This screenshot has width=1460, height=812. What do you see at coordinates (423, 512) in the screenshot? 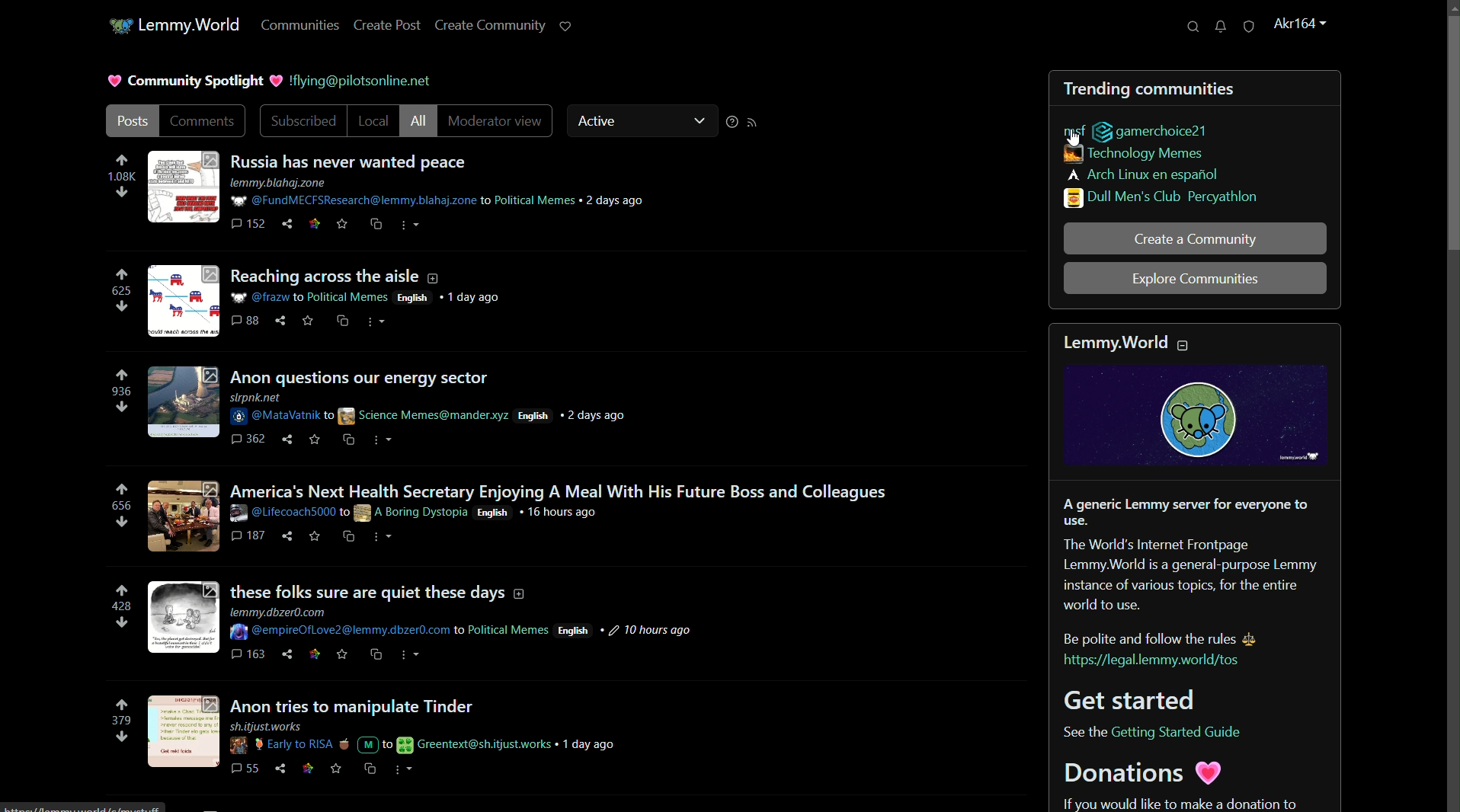
I see `post details` at bounding box center [423, 512].